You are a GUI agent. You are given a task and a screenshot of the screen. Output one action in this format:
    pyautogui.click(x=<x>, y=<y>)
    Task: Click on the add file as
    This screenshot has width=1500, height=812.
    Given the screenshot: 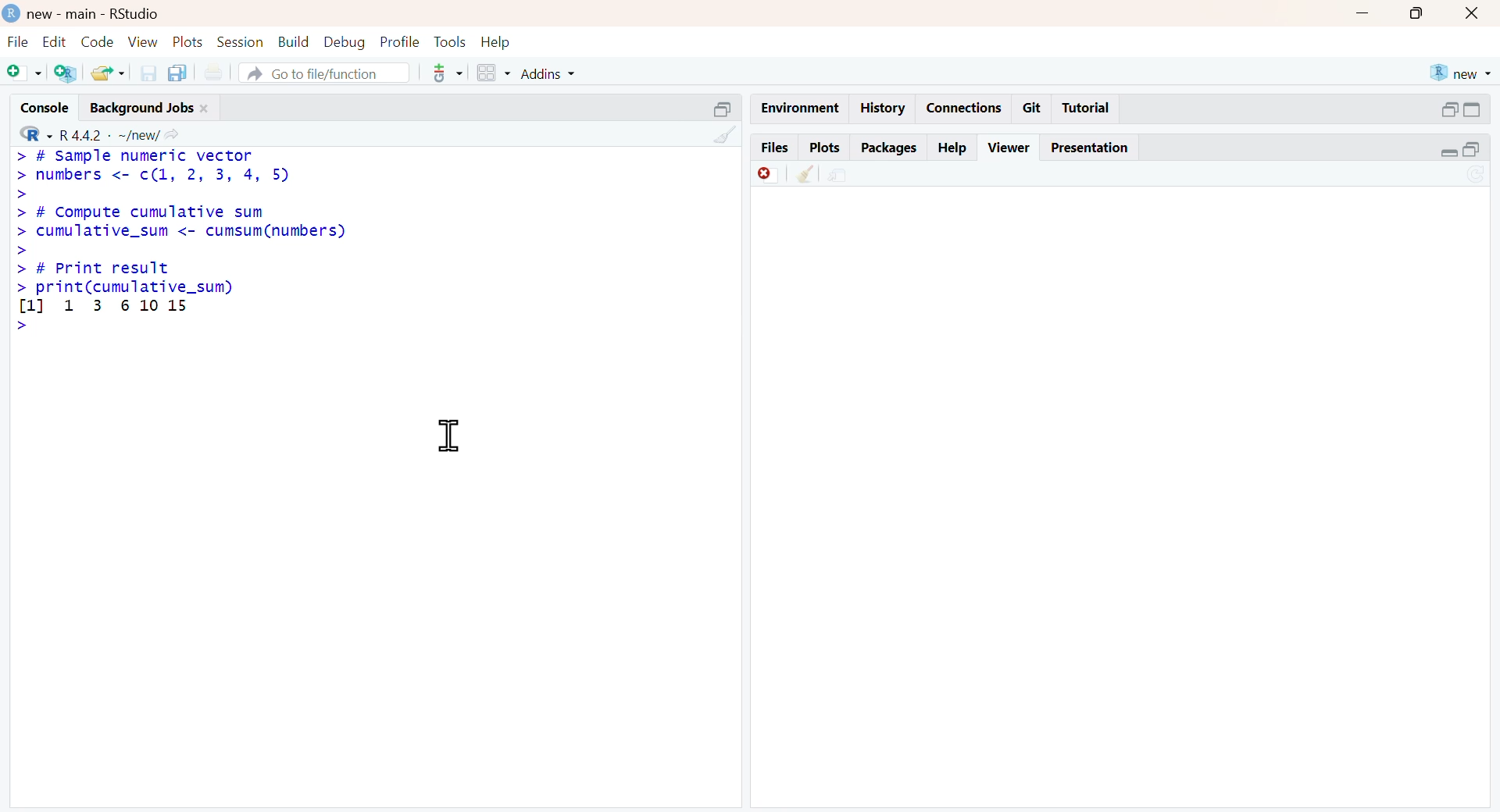 What is the action you would take?
    pyautogui.click(x=27, y=73)
    